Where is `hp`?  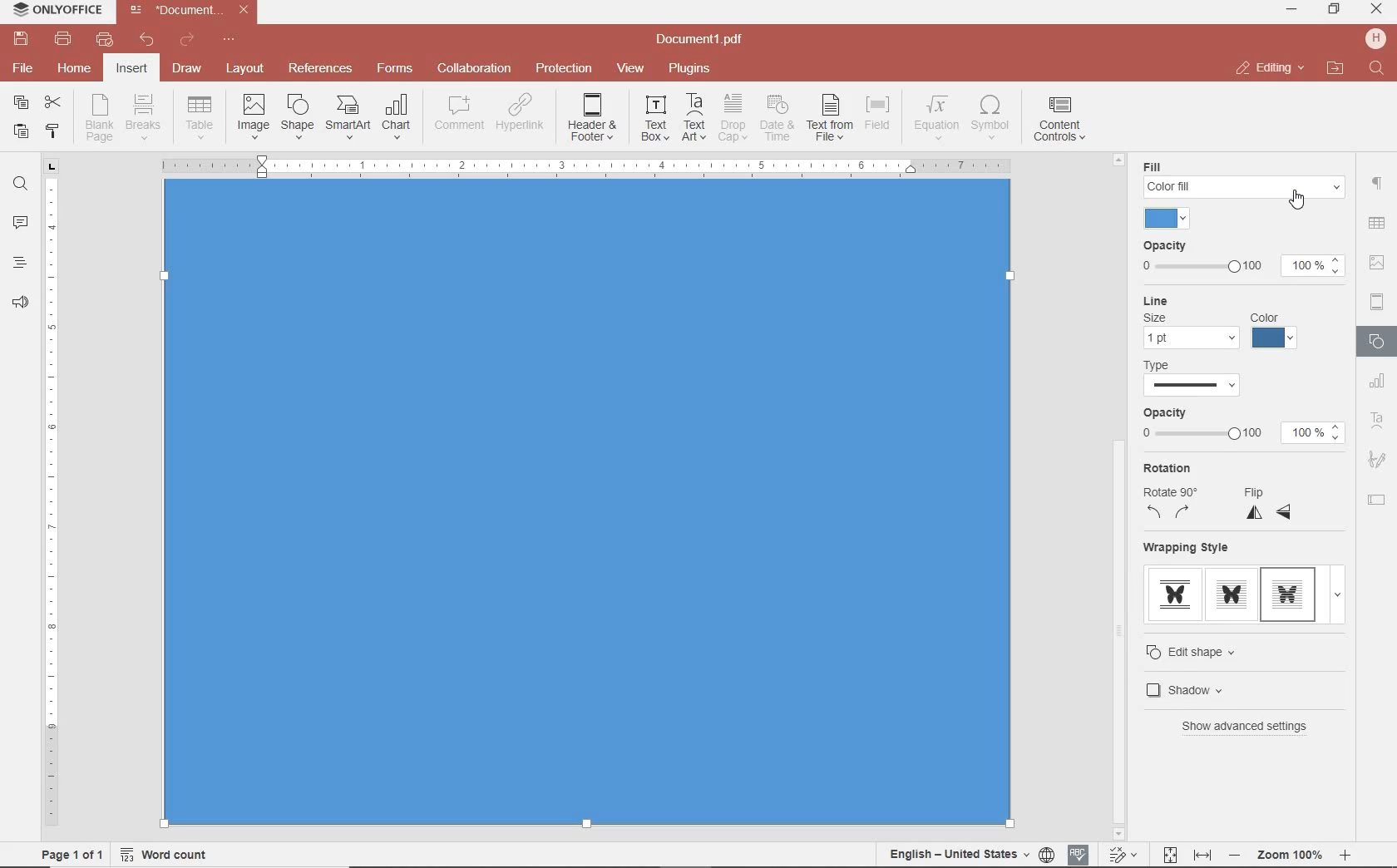 hp is located at coordinates (1379, 38).